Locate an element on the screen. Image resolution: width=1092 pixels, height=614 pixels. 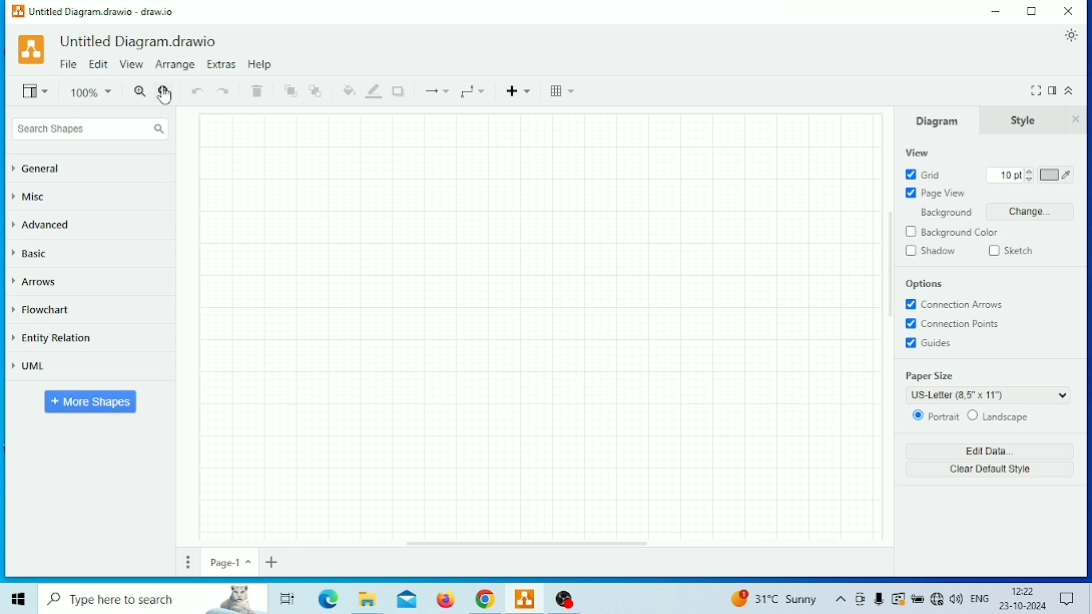
Connection Points is located at coordinates (951, 324).